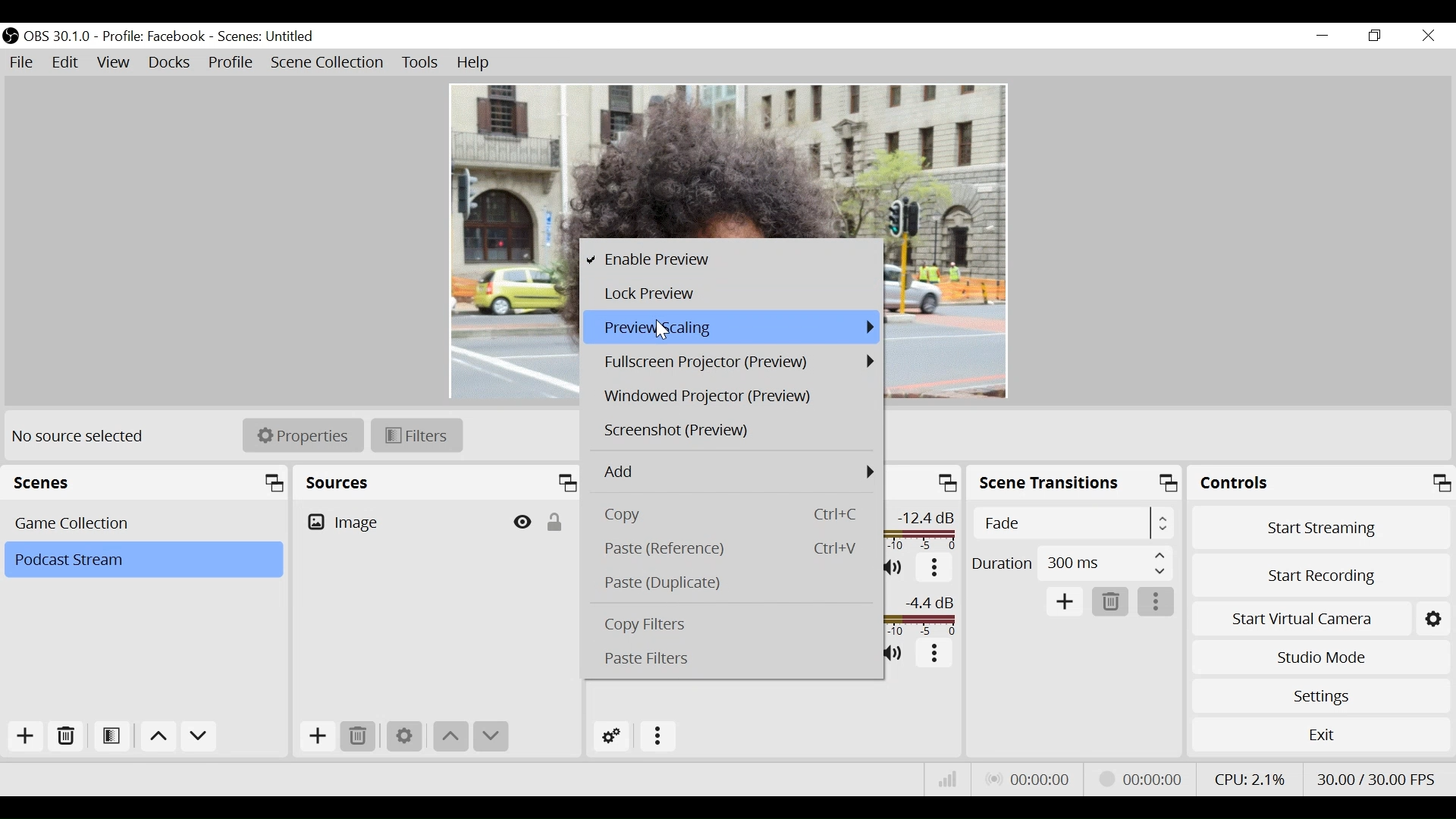  Describe the element at coordinates (80, 436) in the screenshot. I see `No source selected` at that location.